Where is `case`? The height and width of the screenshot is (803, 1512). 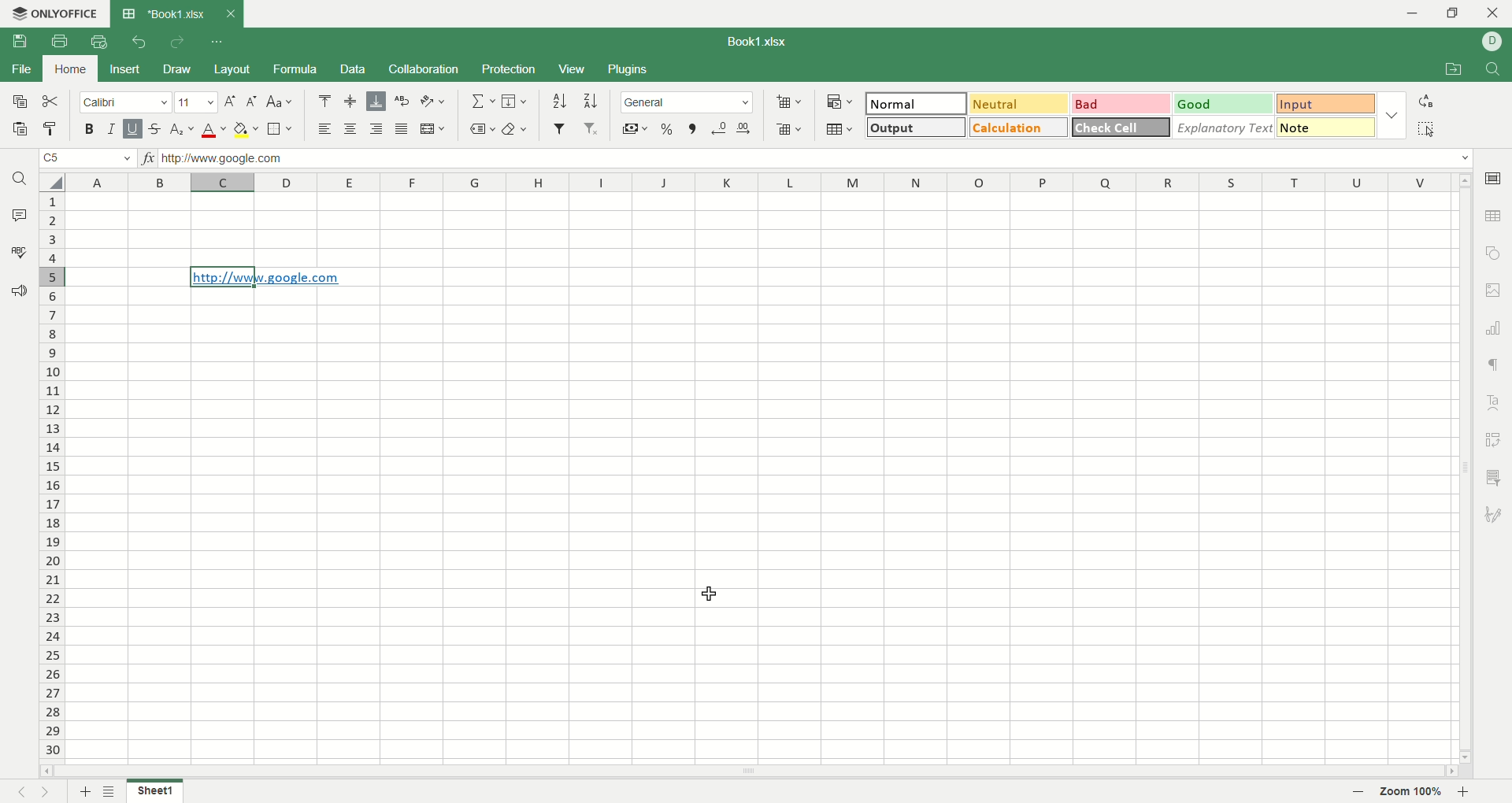
case is located at coordinates (280, 101).